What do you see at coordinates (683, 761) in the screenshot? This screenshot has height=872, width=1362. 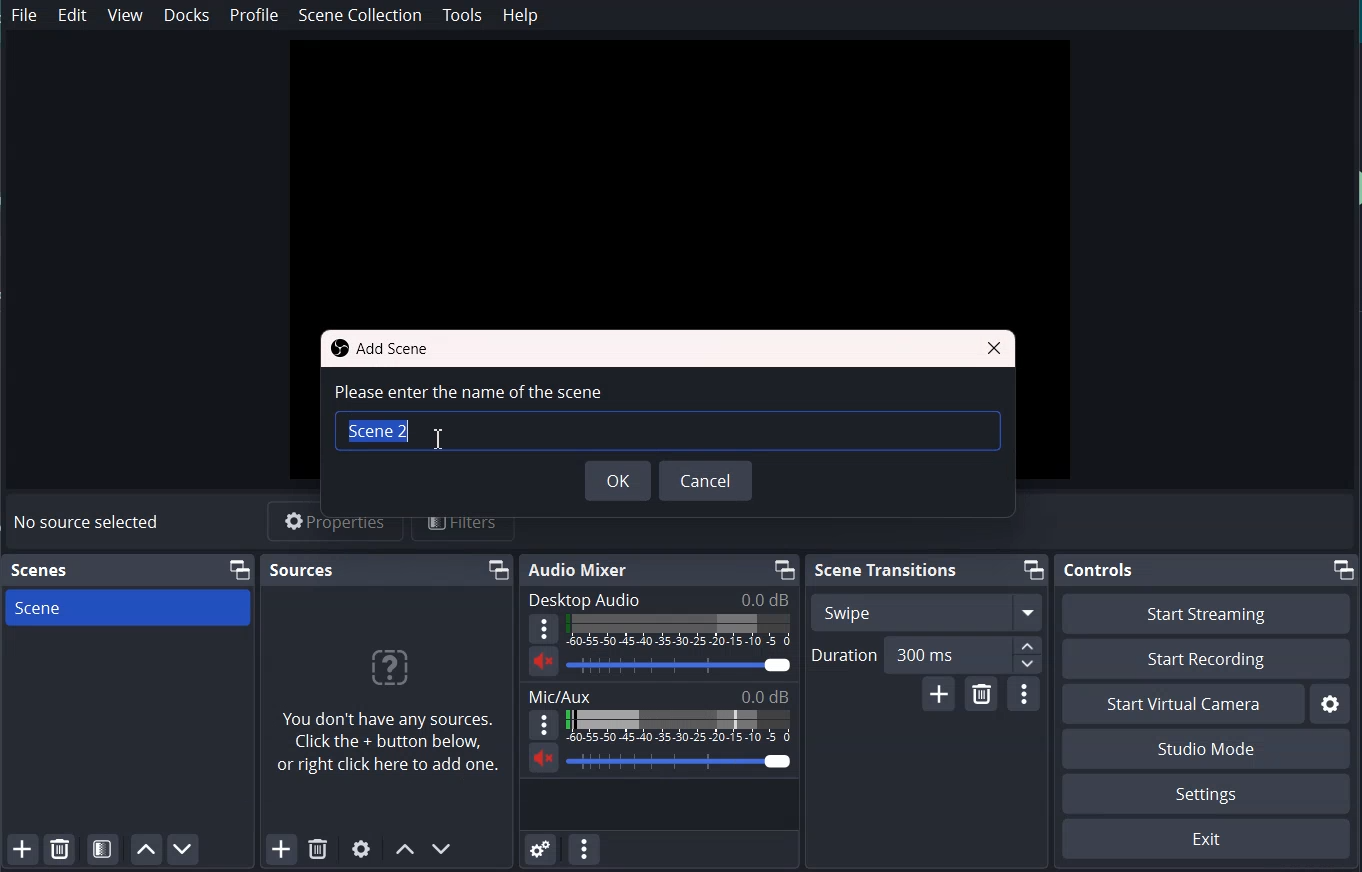 I see `Volume Adjuster` at bounding box center [683, 761].